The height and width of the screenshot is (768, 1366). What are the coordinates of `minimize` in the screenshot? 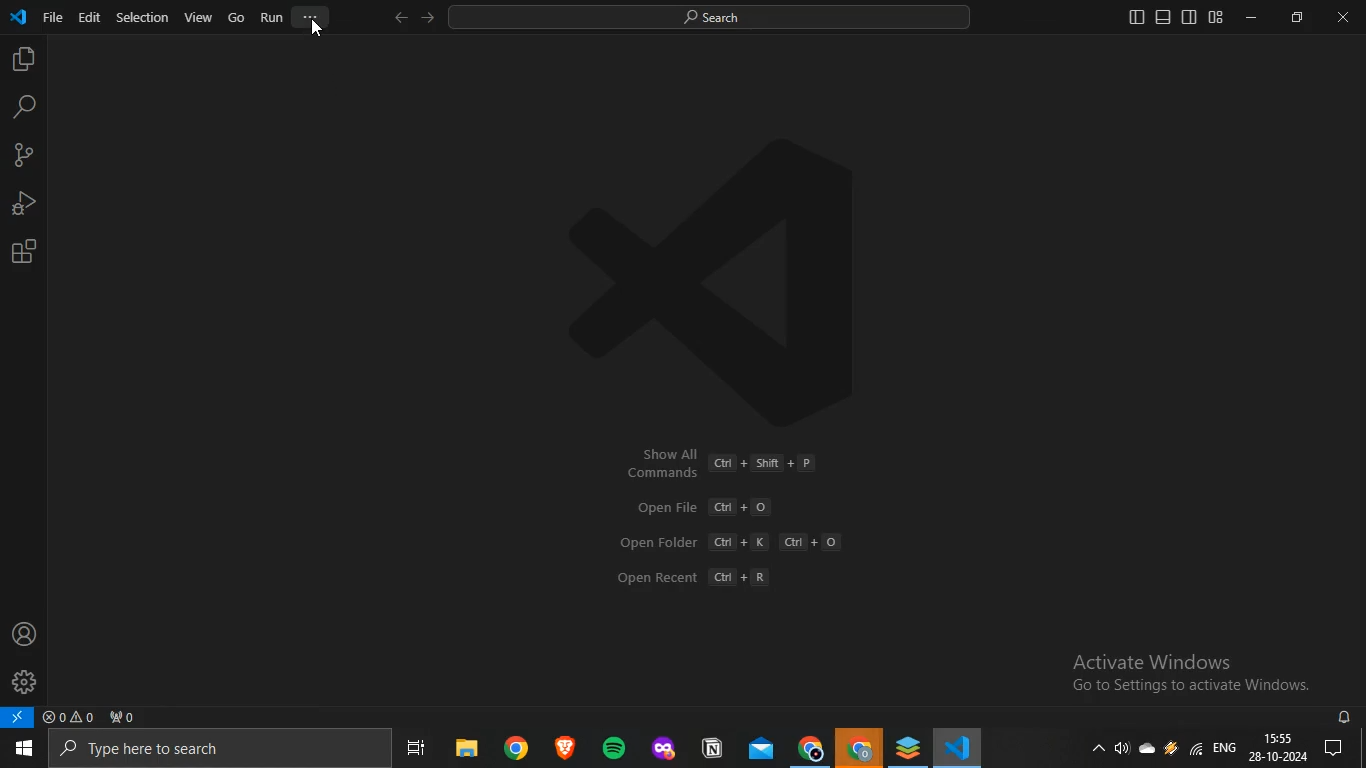 It's located at (1250, 16).